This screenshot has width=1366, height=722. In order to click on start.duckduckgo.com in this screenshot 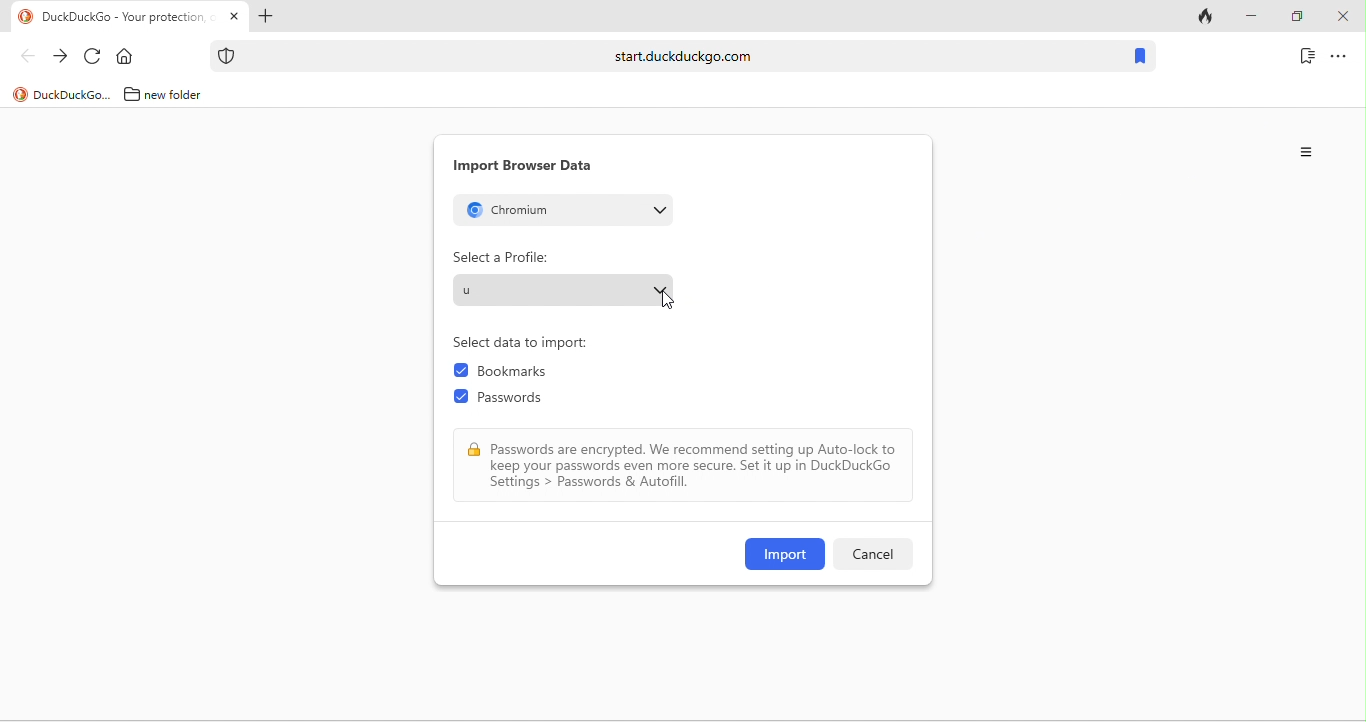, I will do `click(683, 55)`.